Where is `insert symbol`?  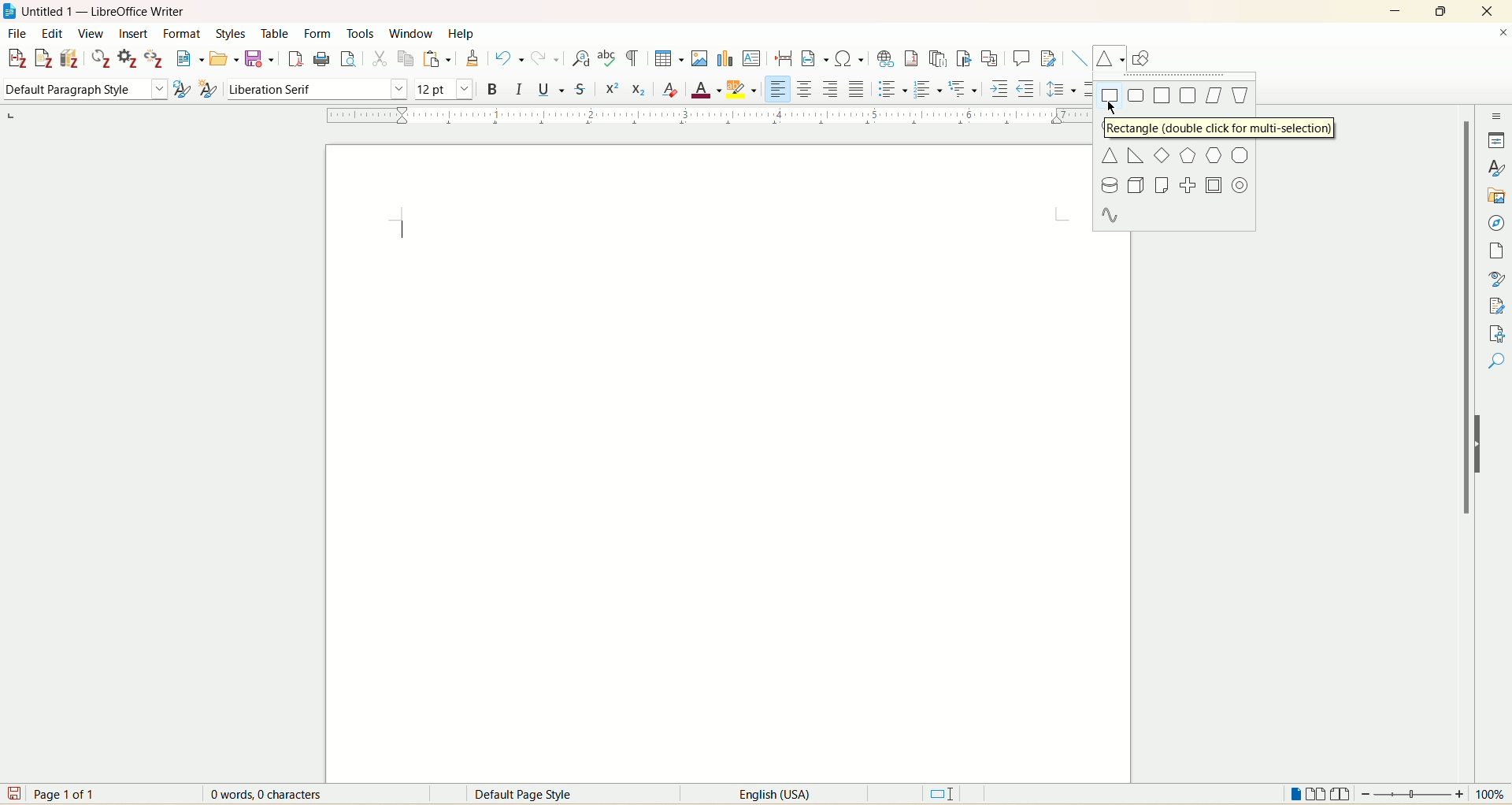
insert symbol is located at coordinates (849, 58).